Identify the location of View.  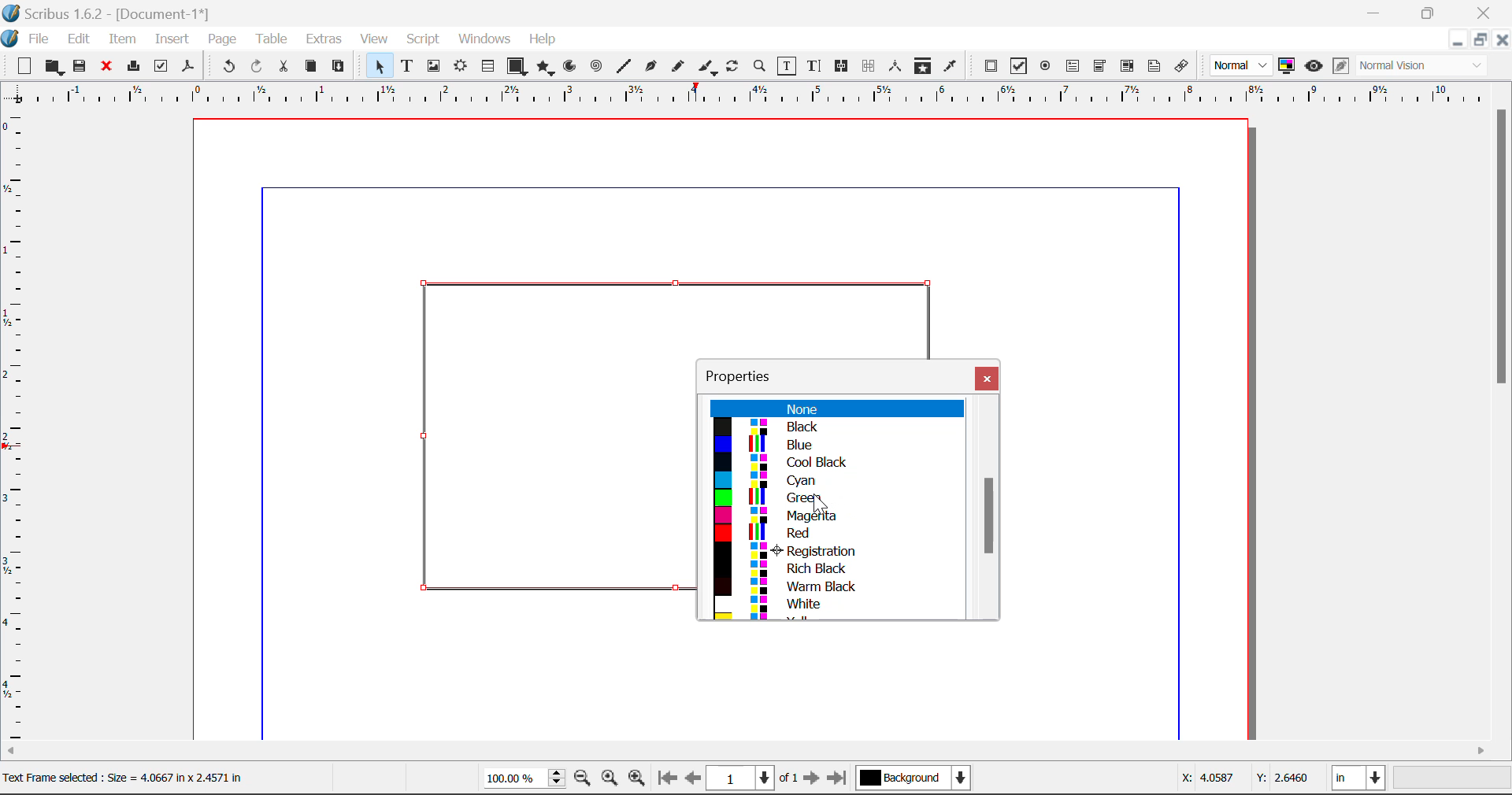
(375, 40).